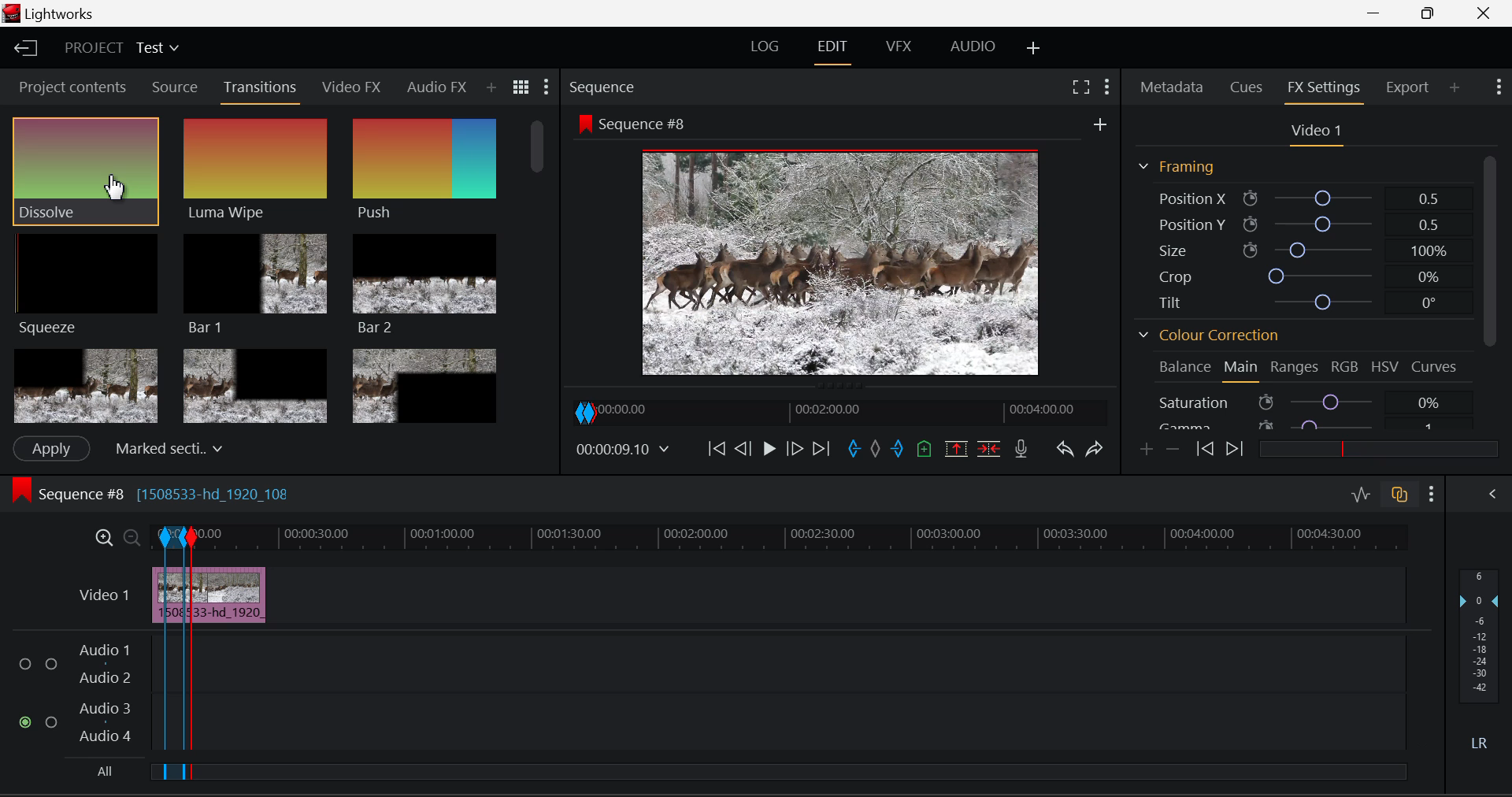  What do you see at coordinates (105, 710) in the screenshot?
I see `Audio 3` at bounding box center [105, 710].